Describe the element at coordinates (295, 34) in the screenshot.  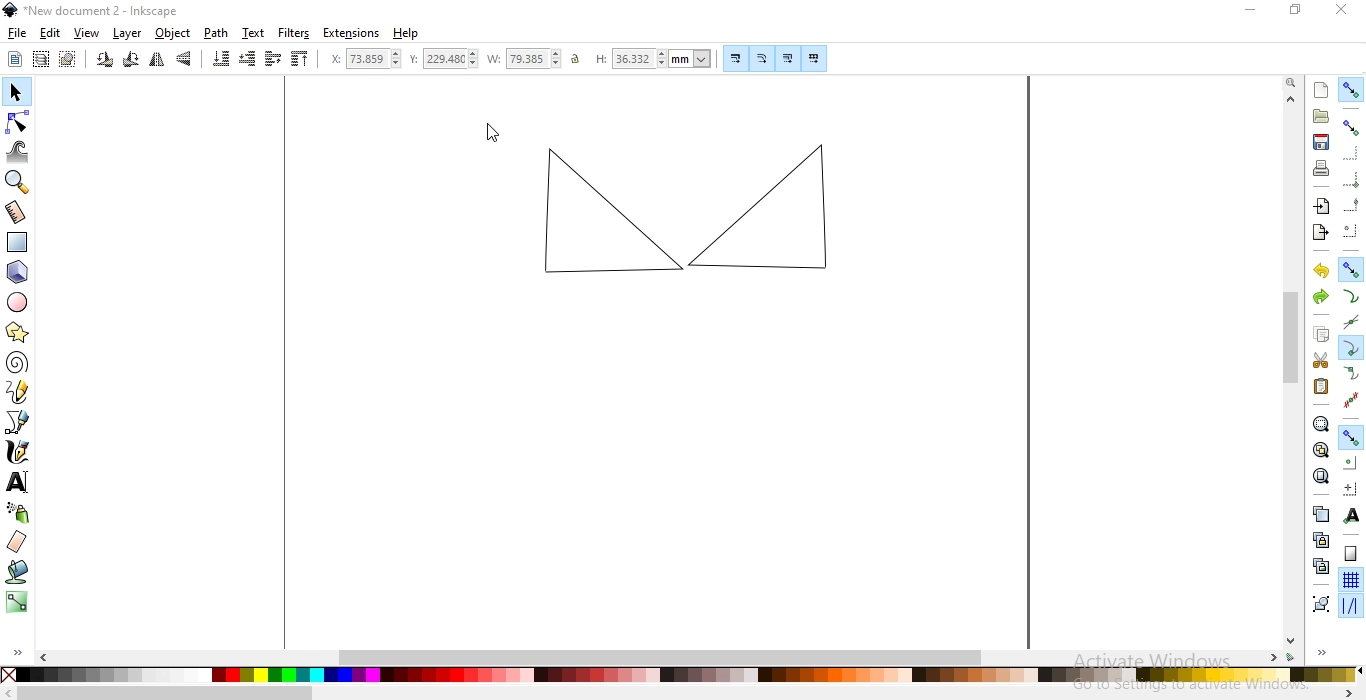
I see `filters` at that location.